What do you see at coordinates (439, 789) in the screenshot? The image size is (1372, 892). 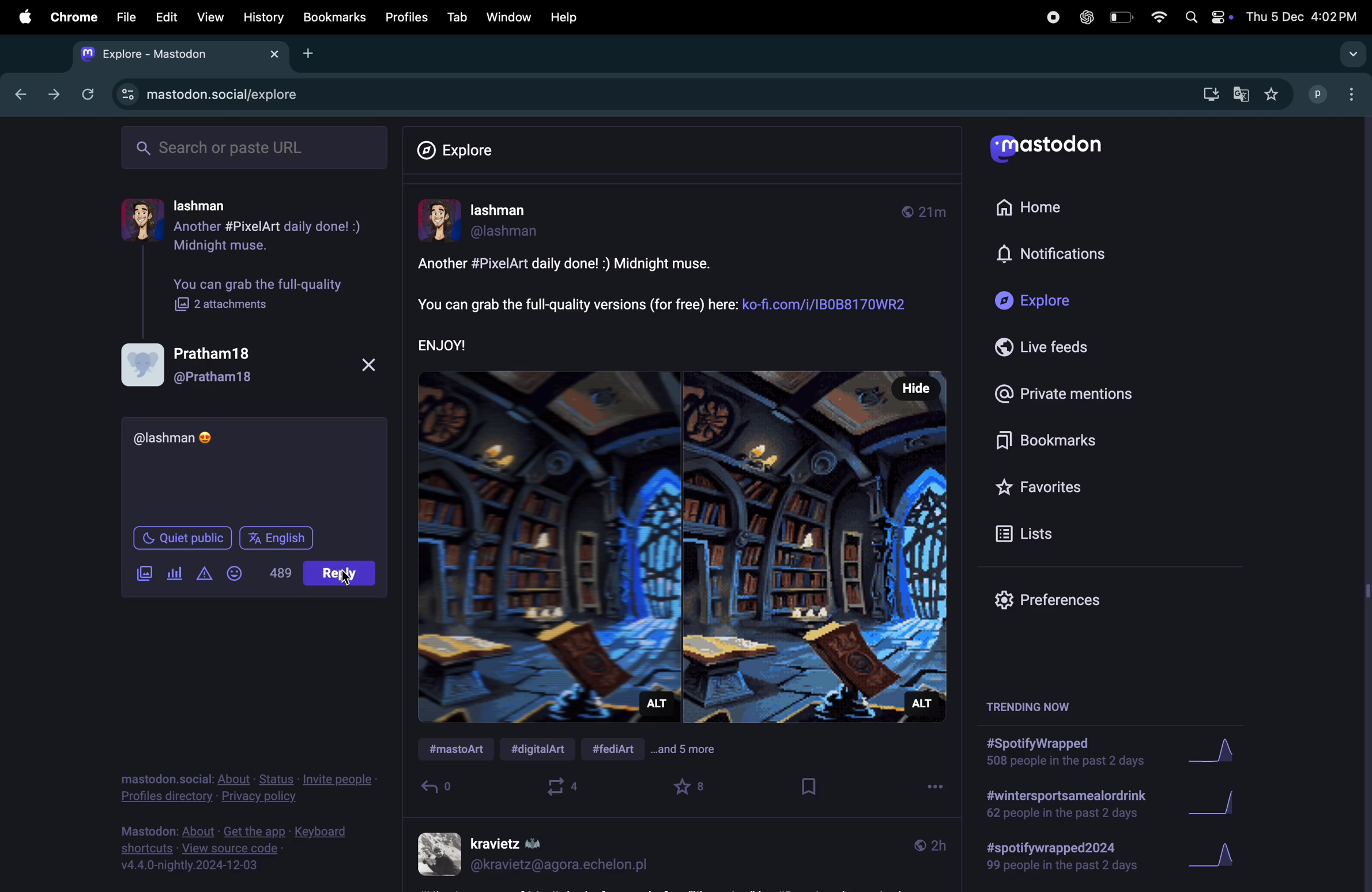 I see `reply` at bounding box center [439, 789].